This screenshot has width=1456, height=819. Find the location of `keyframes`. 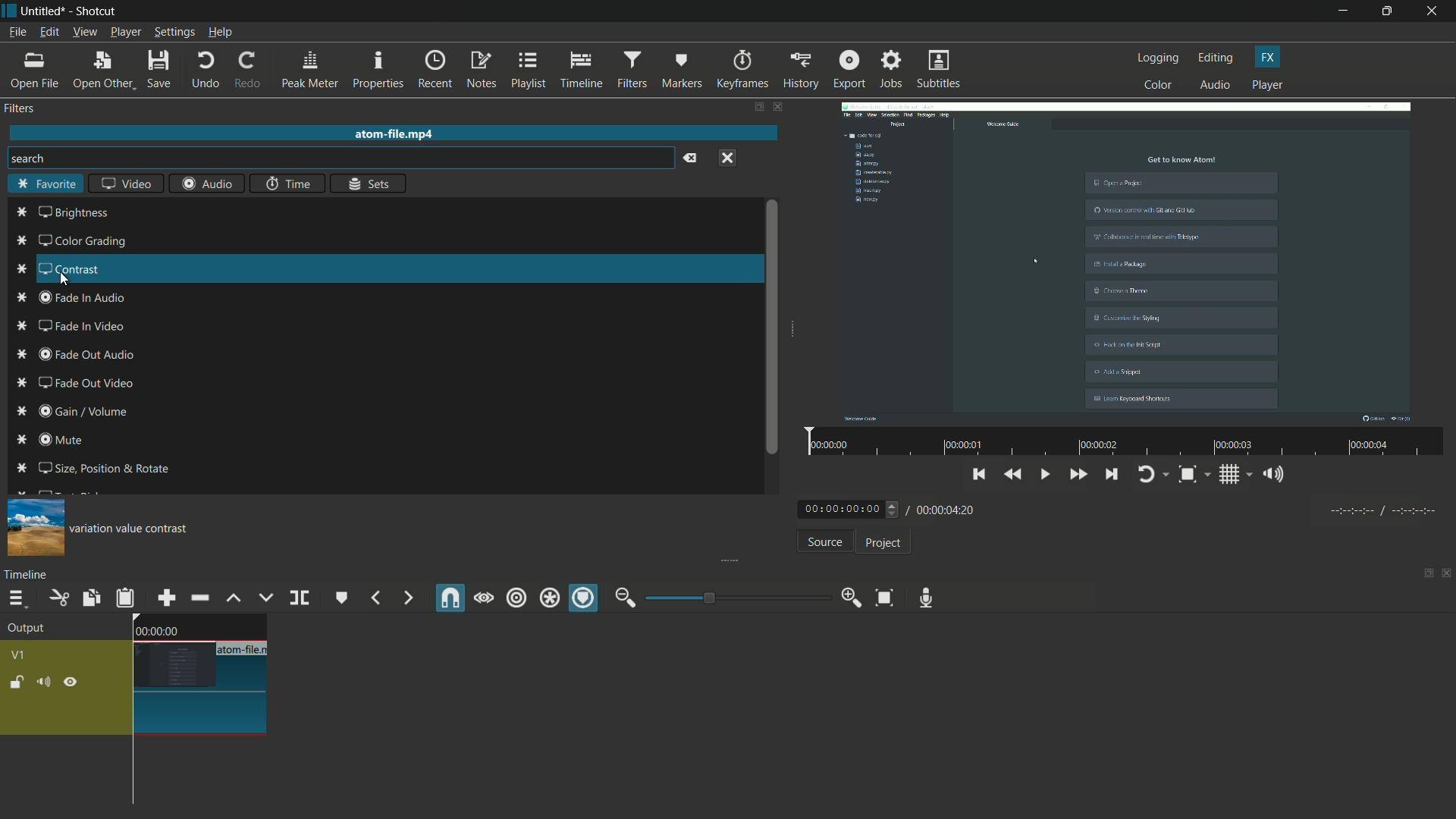

keyframes is located at coordinates (742, 70).